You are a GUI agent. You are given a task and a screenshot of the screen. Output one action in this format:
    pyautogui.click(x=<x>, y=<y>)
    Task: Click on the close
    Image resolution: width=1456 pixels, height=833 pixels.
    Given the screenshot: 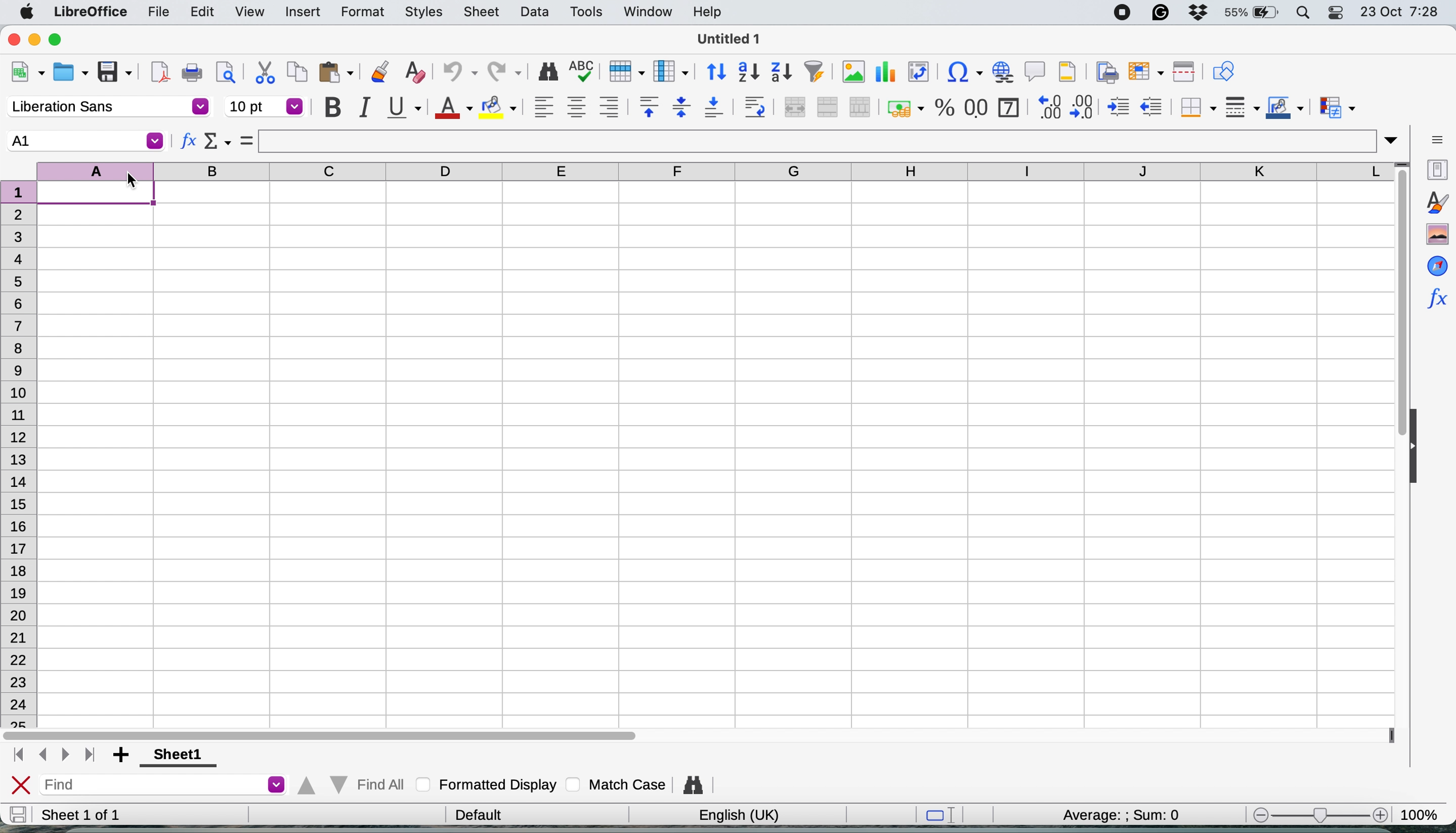 What is the action you would take?
    pyautogui.click(x=19, y=784)
    